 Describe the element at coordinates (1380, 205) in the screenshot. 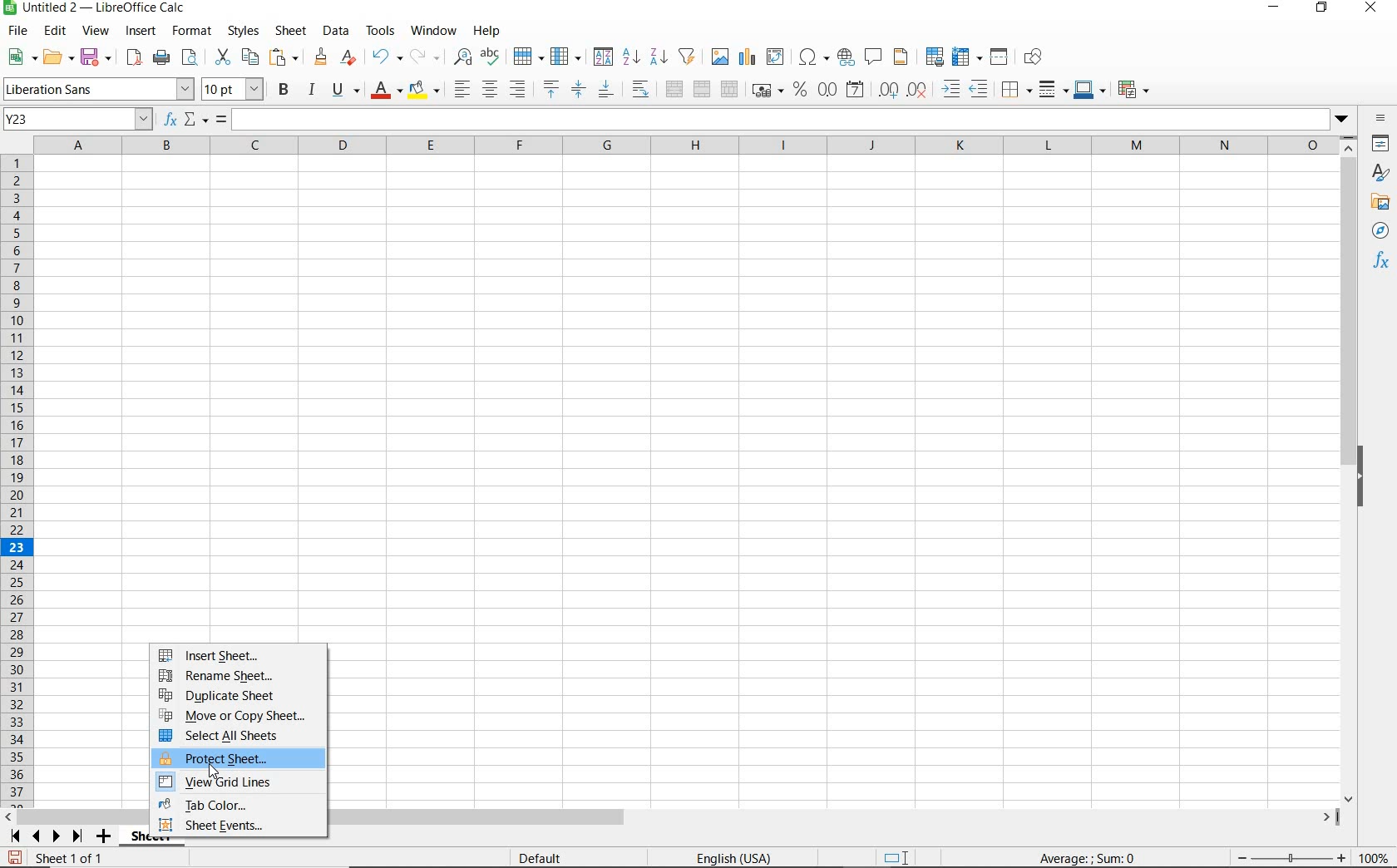

I see `GALLERY` at that location.